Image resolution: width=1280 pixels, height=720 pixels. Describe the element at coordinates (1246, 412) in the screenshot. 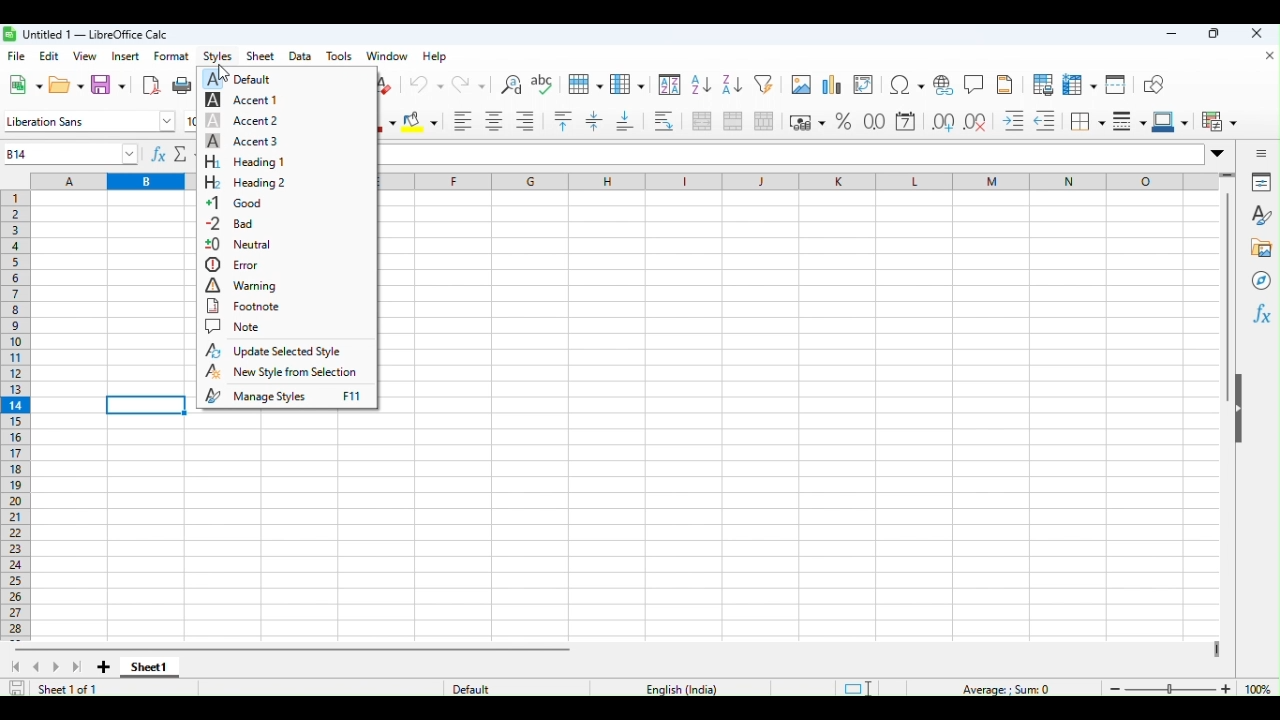

I see `Collapse` at that location.